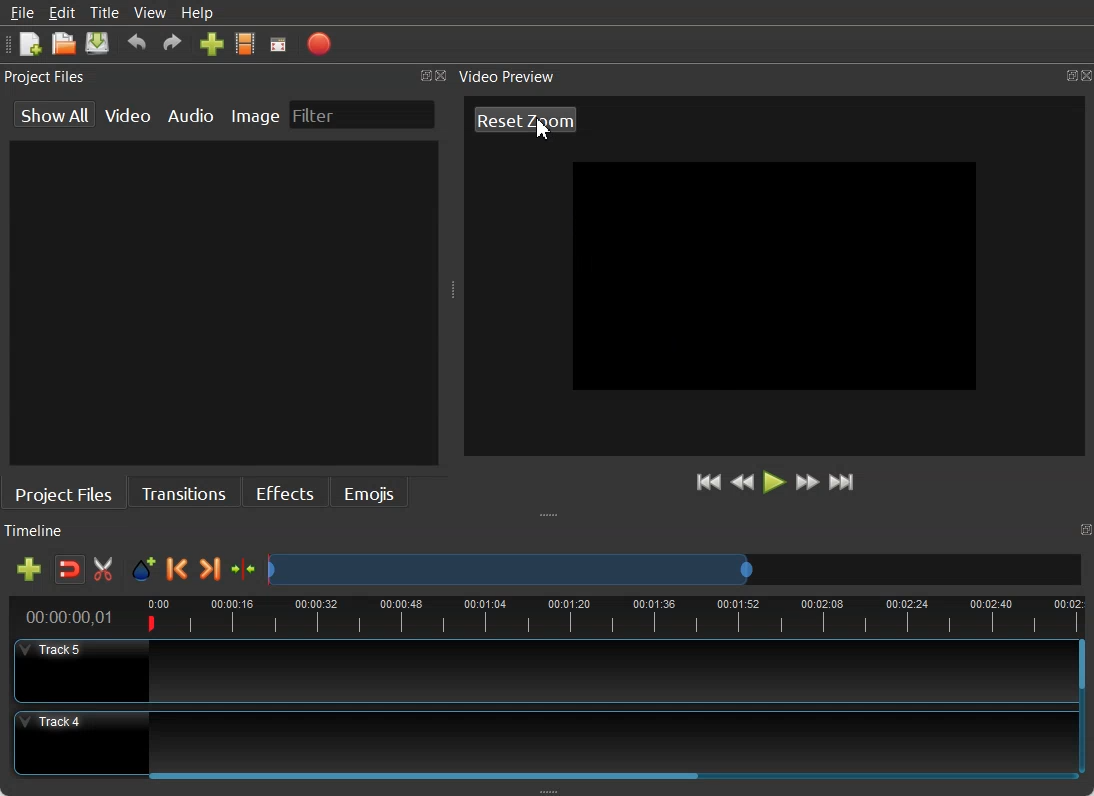 The height and width of the screenshot is (796, 1094). I want to click on Maximize, so click(426, 75).